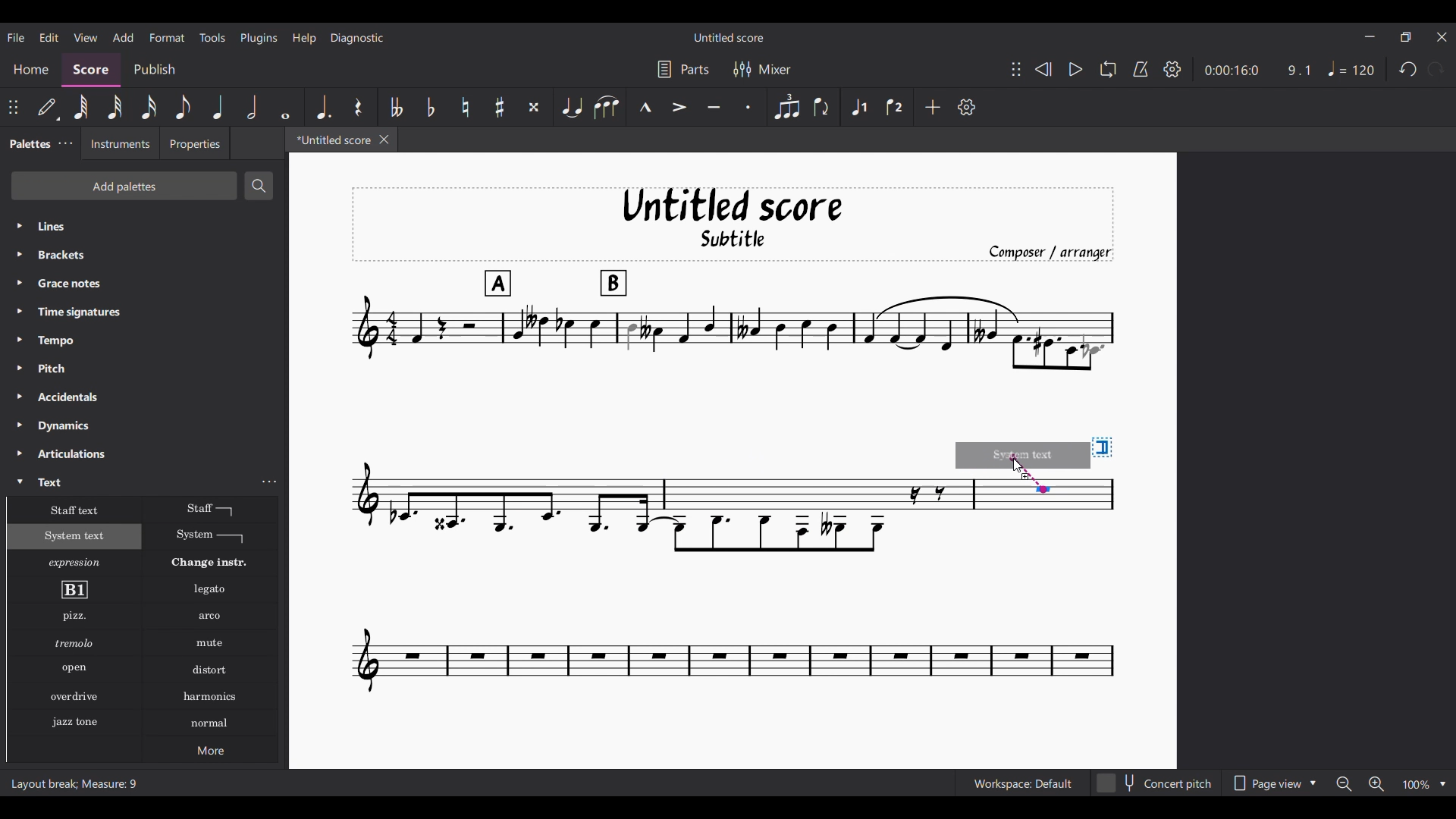 This screenshot has height=819, width=1456. I want to click on Whole note, so click(287, 107).